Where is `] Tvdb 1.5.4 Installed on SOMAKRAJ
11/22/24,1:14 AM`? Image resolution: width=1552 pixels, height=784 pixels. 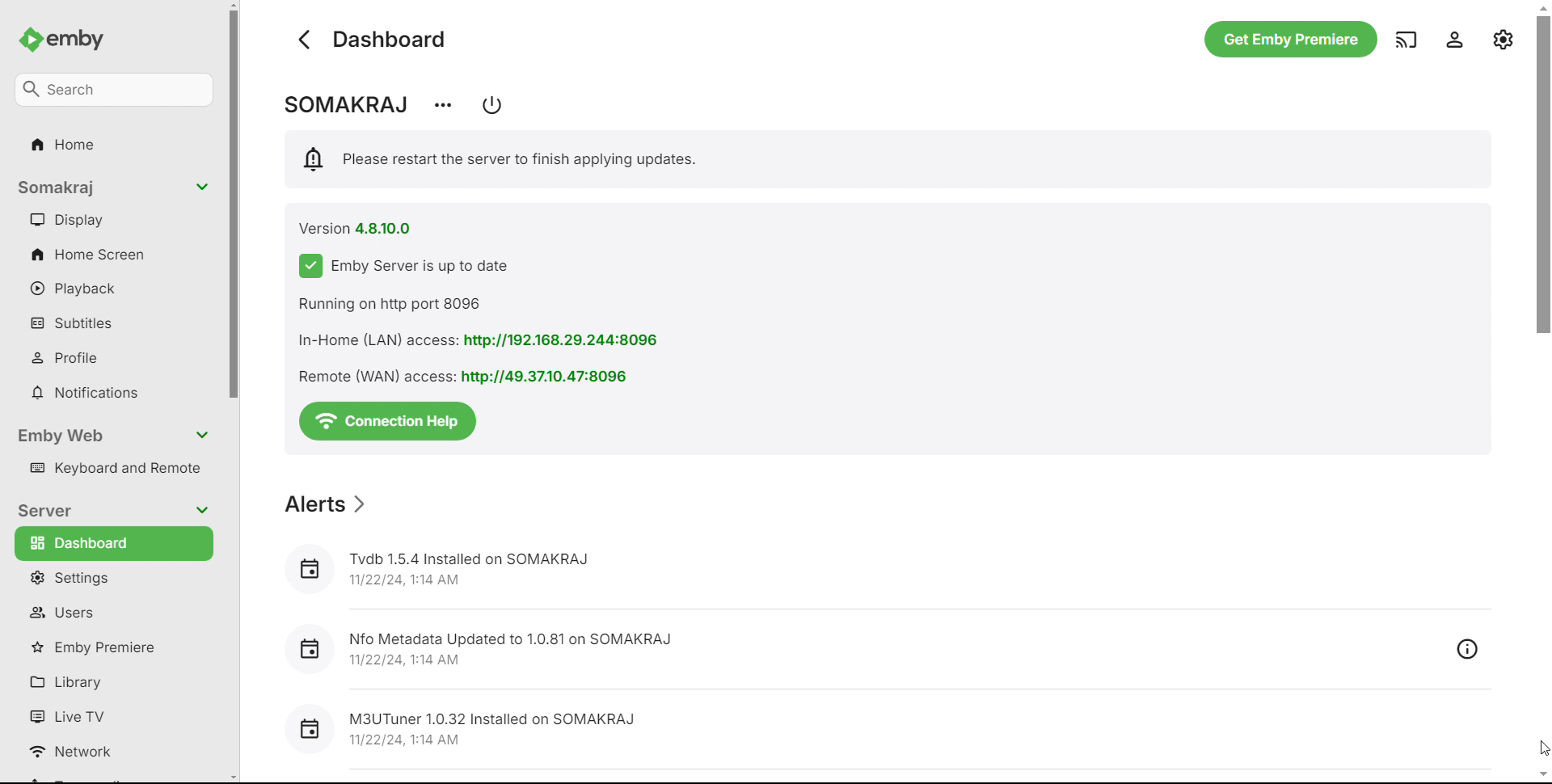
] Tvdb 1.5.4 Installed on SOMAKRAJ
11/22/24,1:14 AM is located at coordinates (437, 566).